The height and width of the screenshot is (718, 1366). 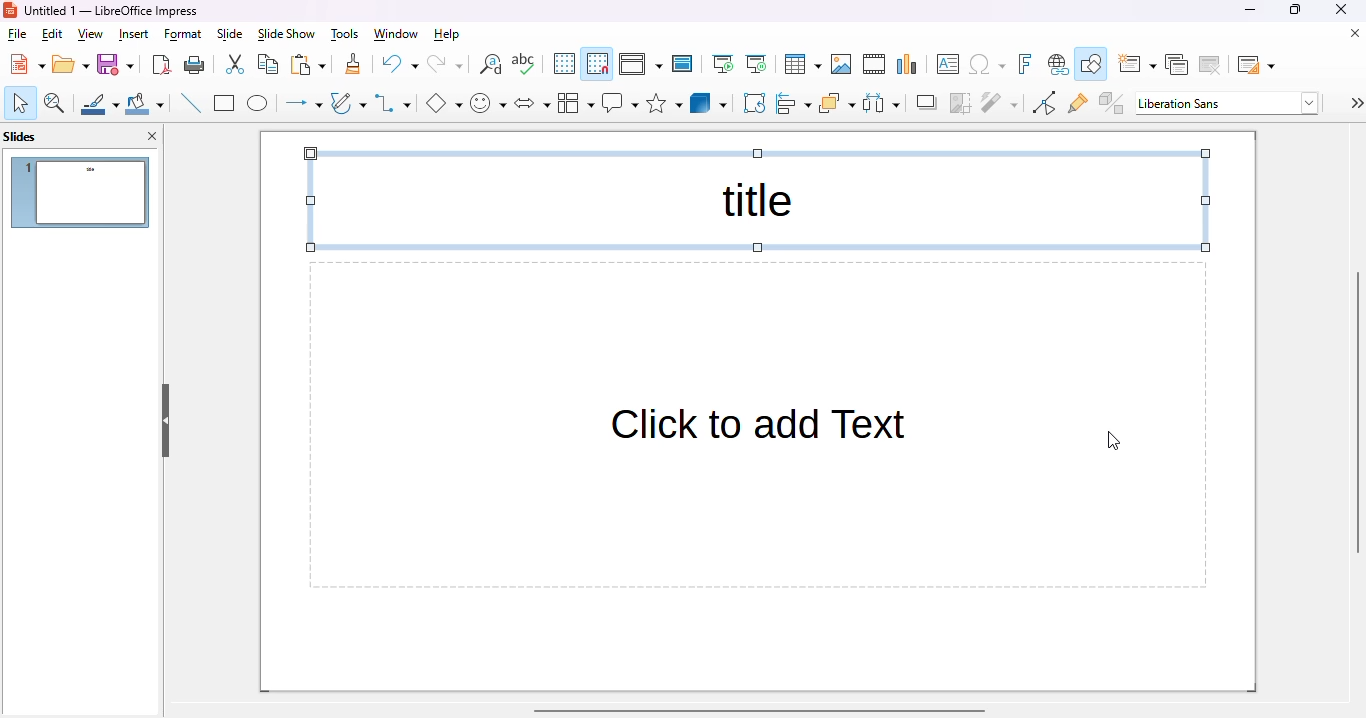 I want to click on maximize, so click(x=1295, y=10).